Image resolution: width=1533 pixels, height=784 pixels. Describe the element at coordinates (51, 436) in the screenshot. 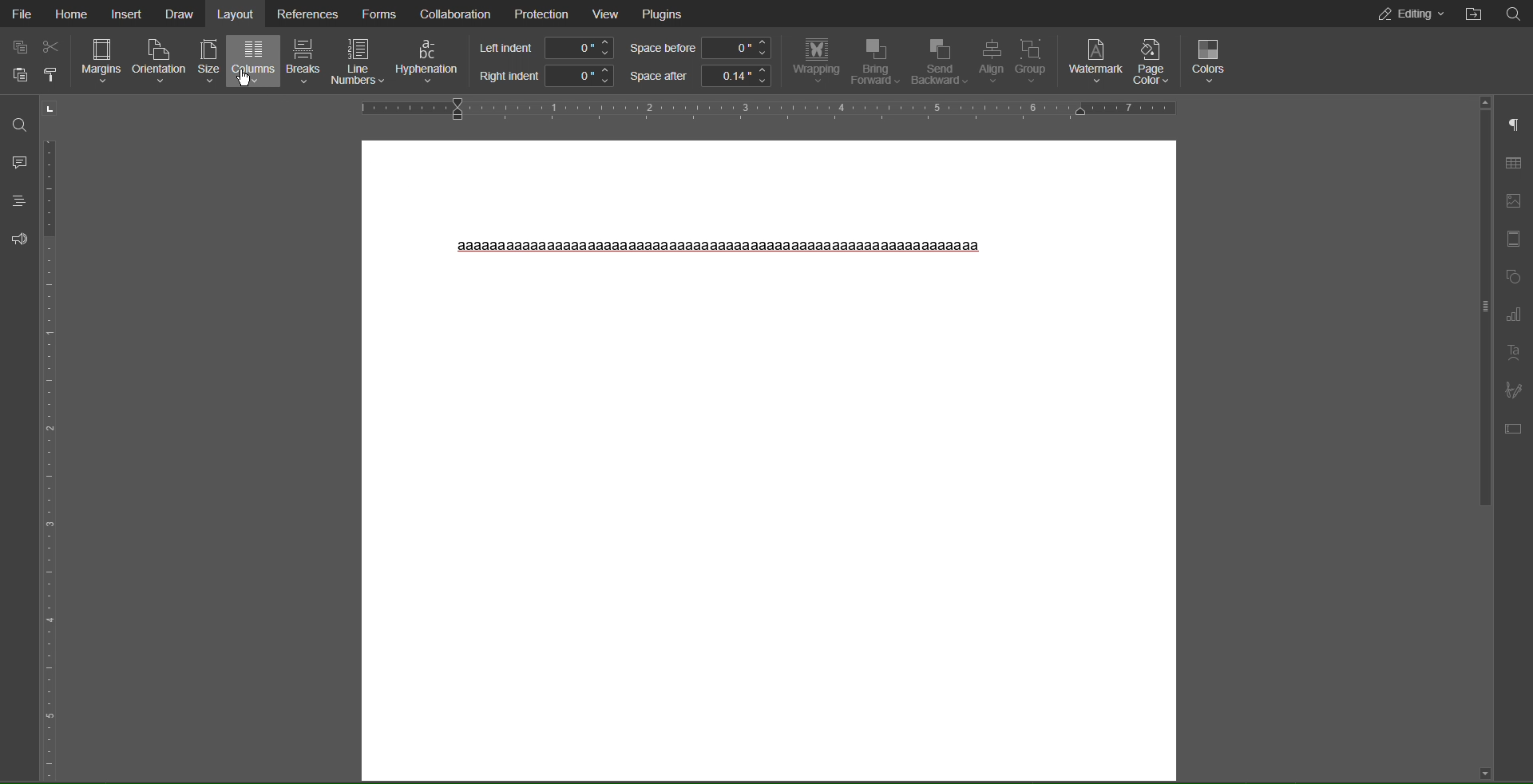

I see `Vertical Ruler` at that location.